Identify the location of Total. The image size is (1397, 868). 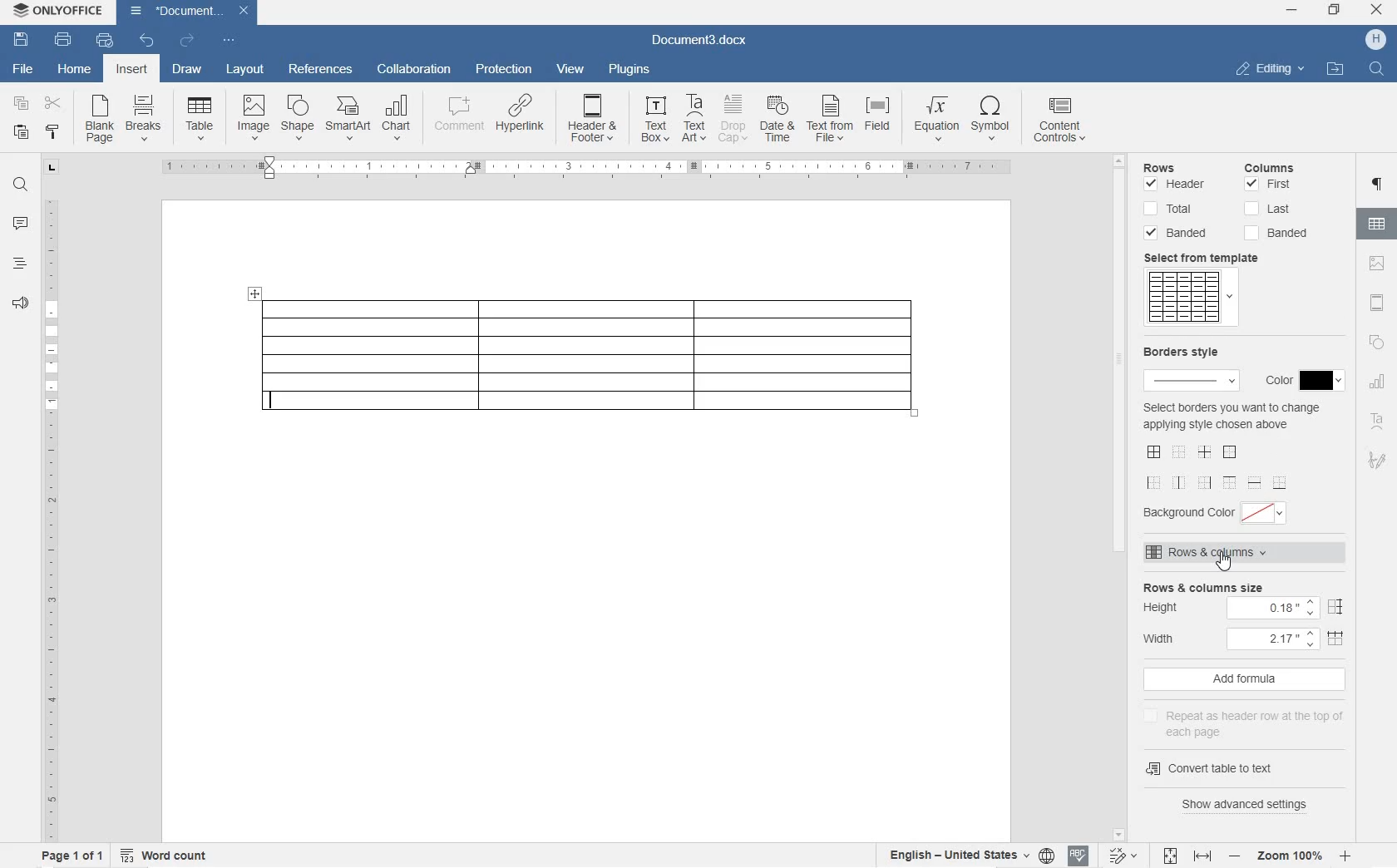
(1171, 209).